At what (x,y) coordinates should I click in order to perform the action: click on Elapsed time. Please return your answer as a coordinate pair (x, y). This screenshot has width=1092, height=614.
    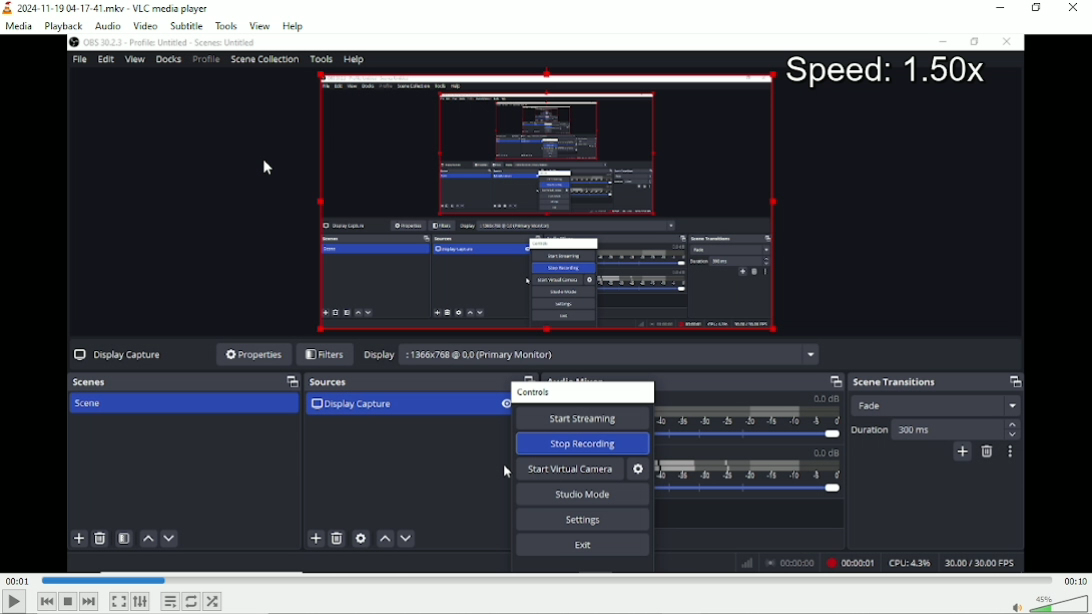
    Looking at the image, I should click on (15, 579).